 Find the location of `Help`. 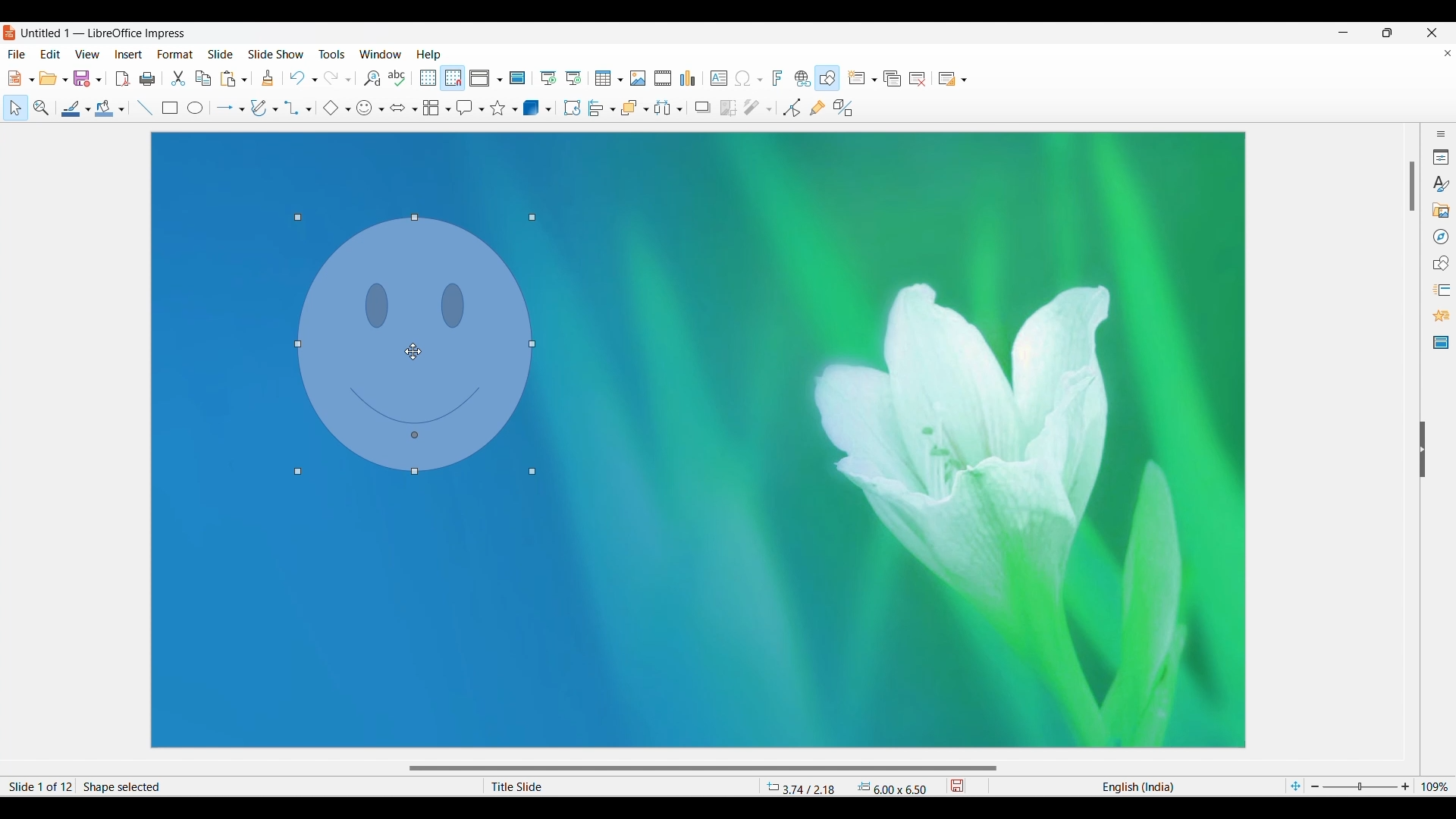

Help is located at coordinates (428, 55).